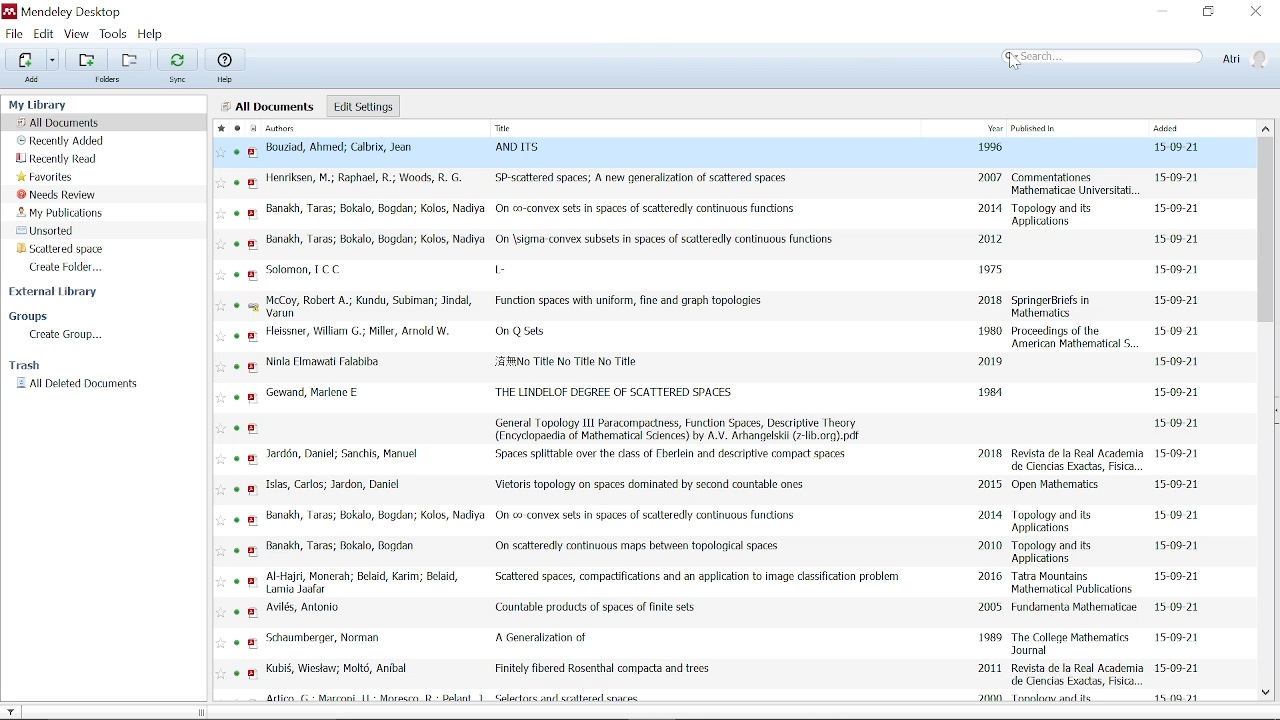 This screenshot has height=720, width=1280. What do you see at coordinates (221, 183) in the screenshot?
I see `Add to favorite` at bounding box center [221, 183].